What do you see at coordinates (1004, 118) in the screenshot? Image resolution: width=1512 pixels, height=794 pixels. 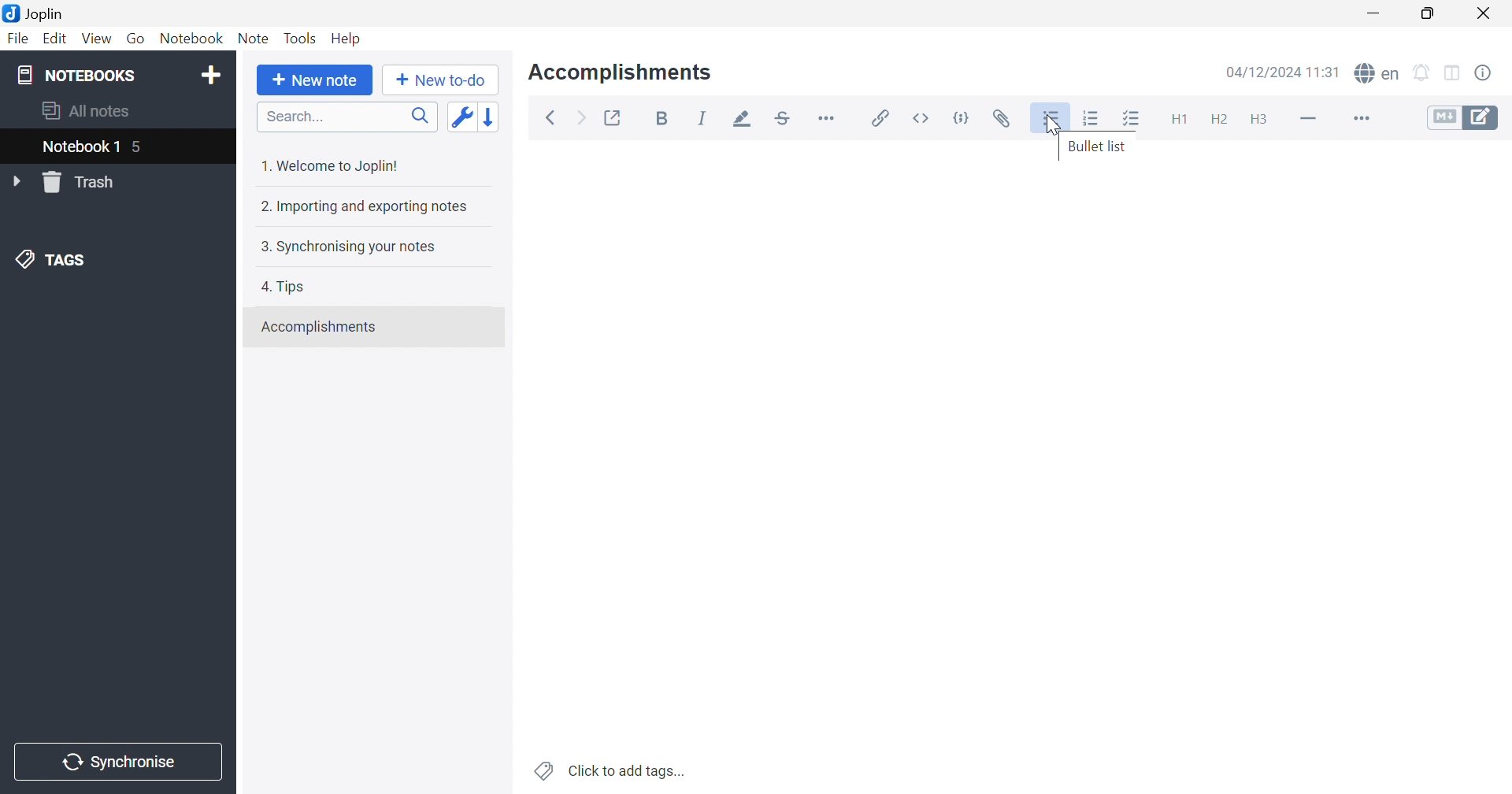 I see `Attach file` at bounding box center [1004, 118].